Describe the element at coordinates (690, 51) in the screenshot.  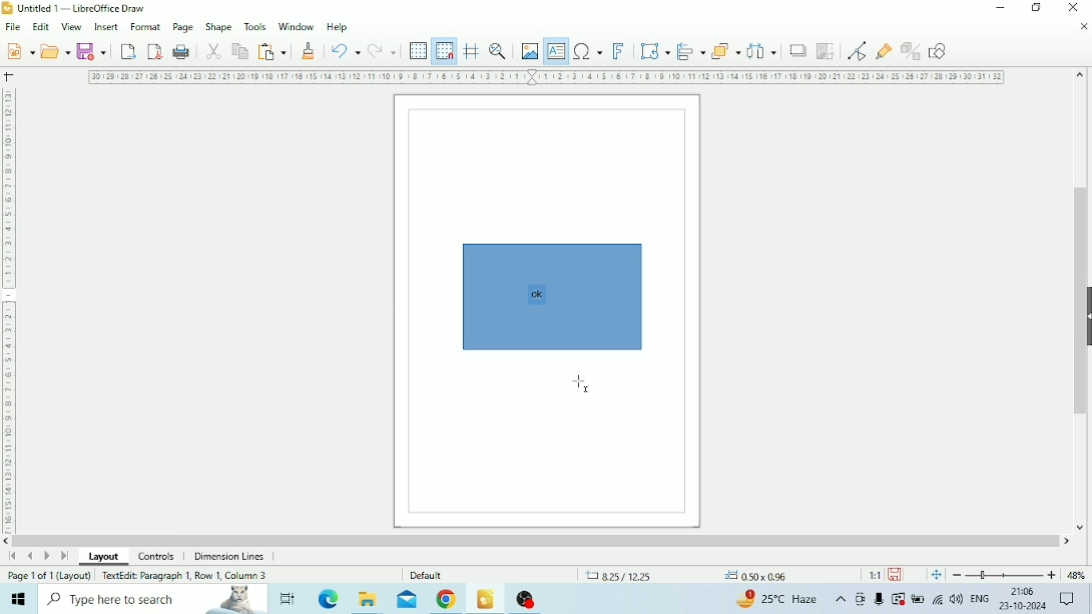
I see `Align objects` at that location.